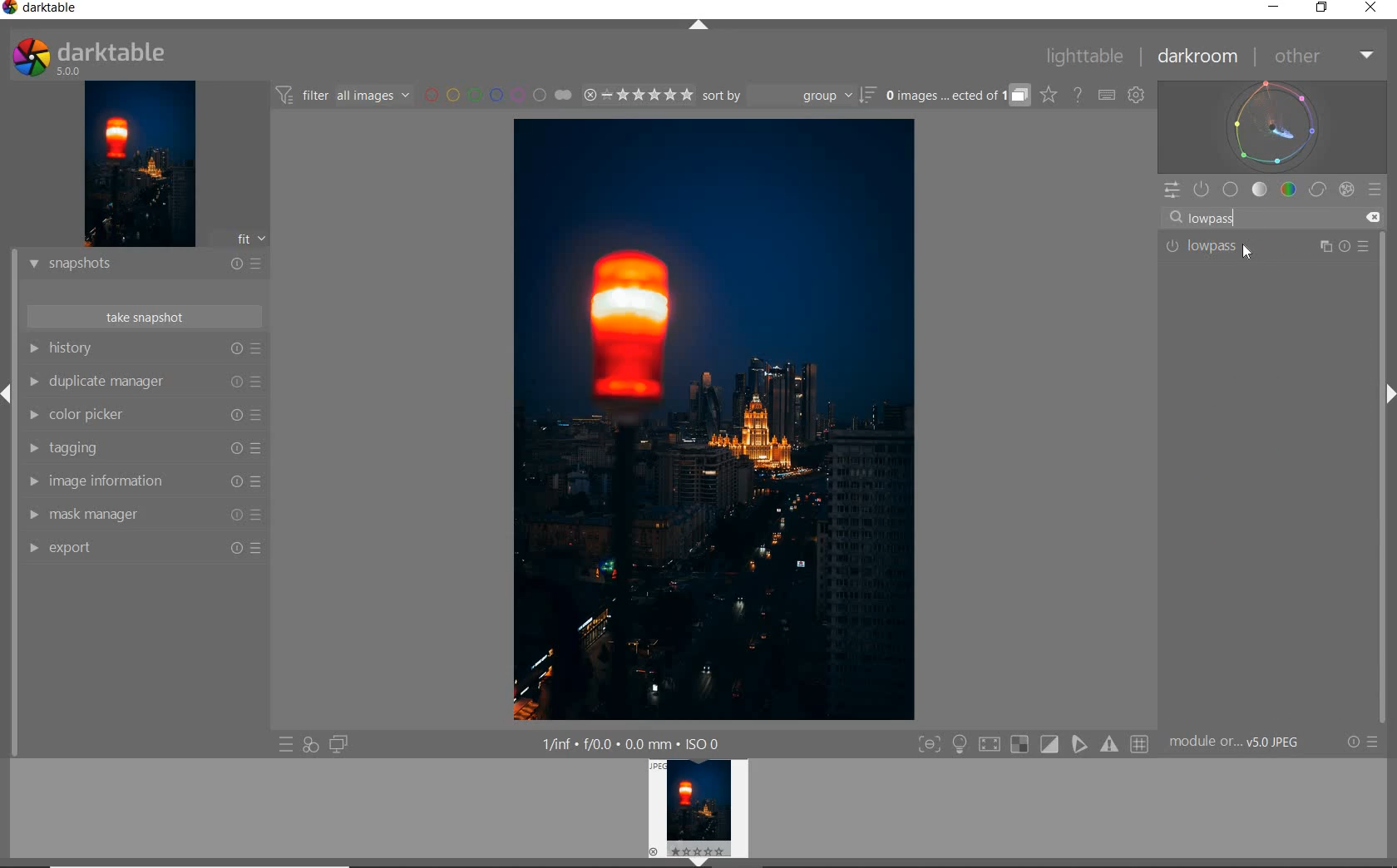  What do you see at coordinates (109, 383) in the screenshot?
I see `DUPLICATE MANAGER` at bounding box center [109, 383].